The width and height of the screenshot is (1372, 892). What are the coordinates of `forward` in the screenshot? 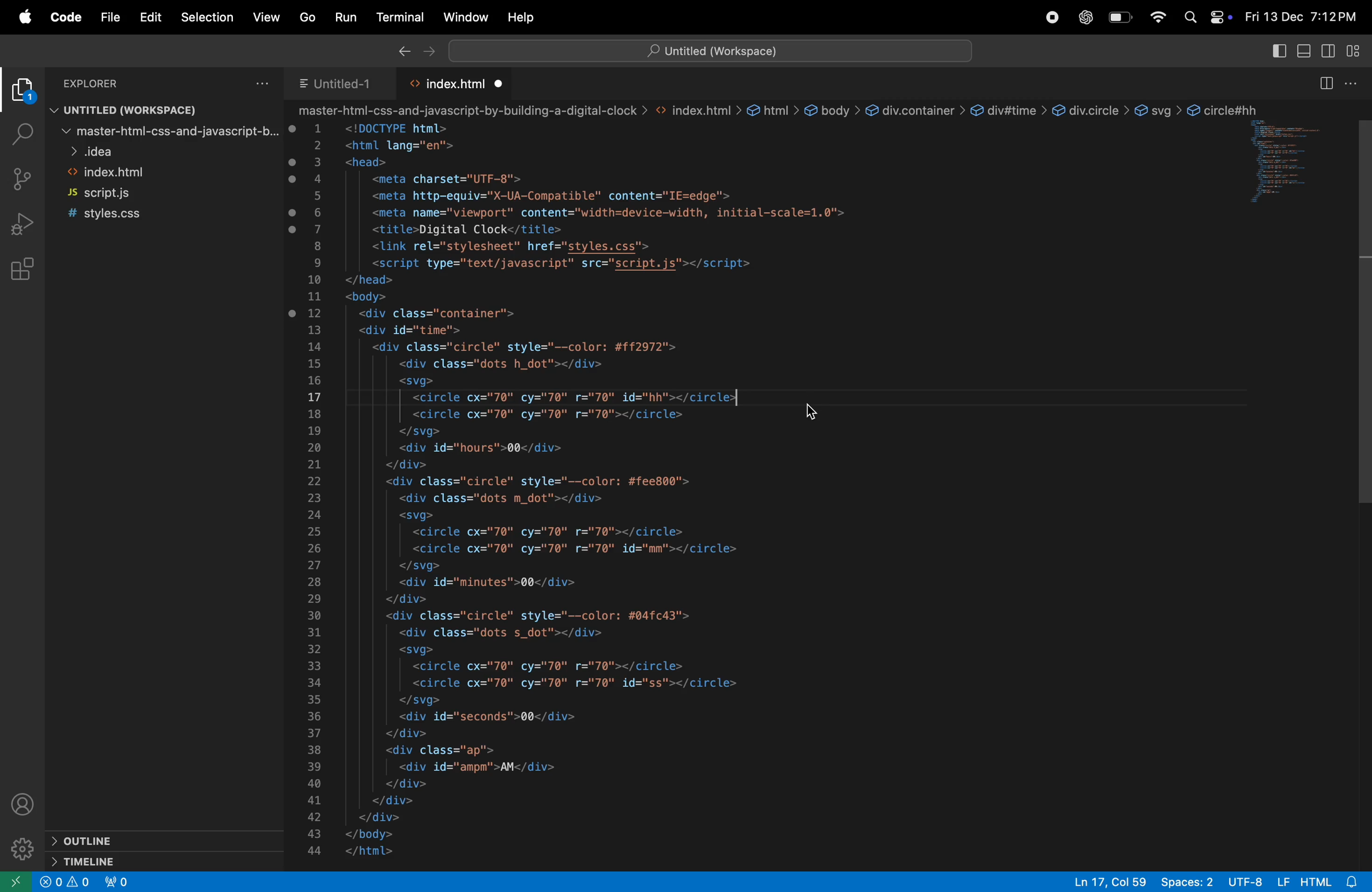 It's located at (430, 52).